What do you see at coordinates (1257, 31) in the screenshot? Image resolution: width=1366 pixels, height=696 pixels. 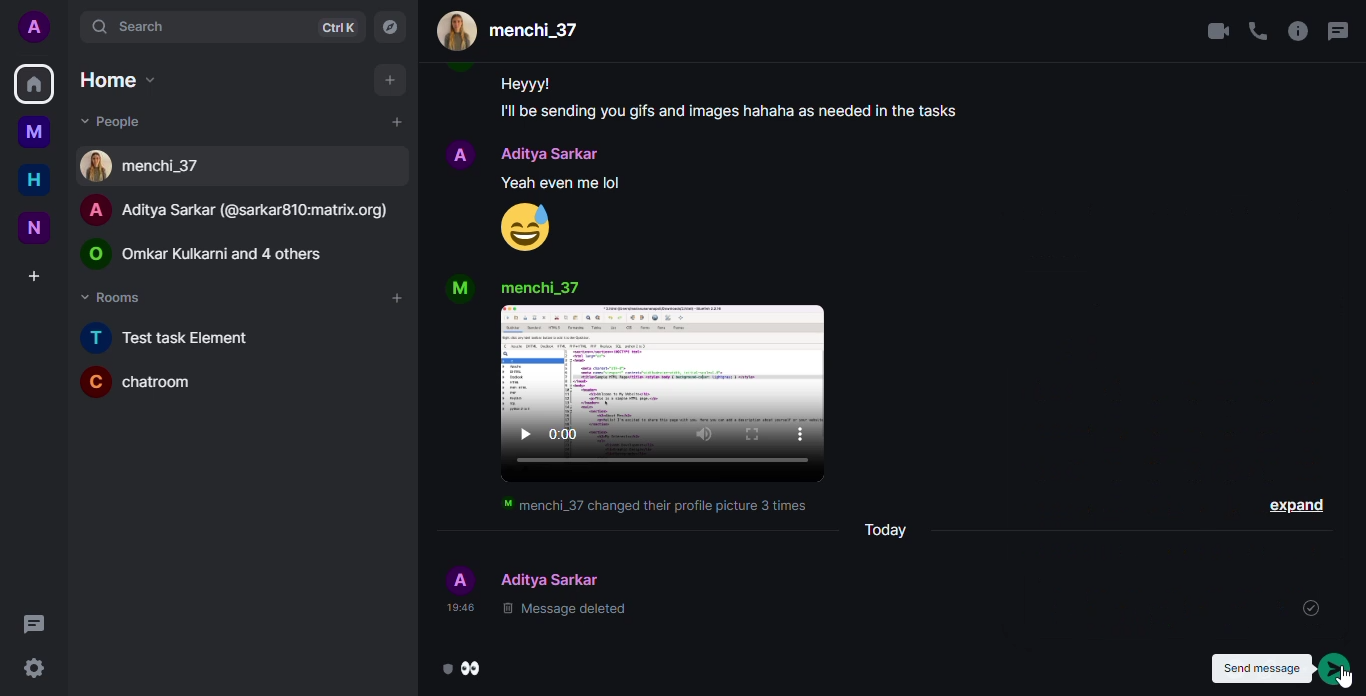 I see `voice call` at bounding box center [1257, 31].